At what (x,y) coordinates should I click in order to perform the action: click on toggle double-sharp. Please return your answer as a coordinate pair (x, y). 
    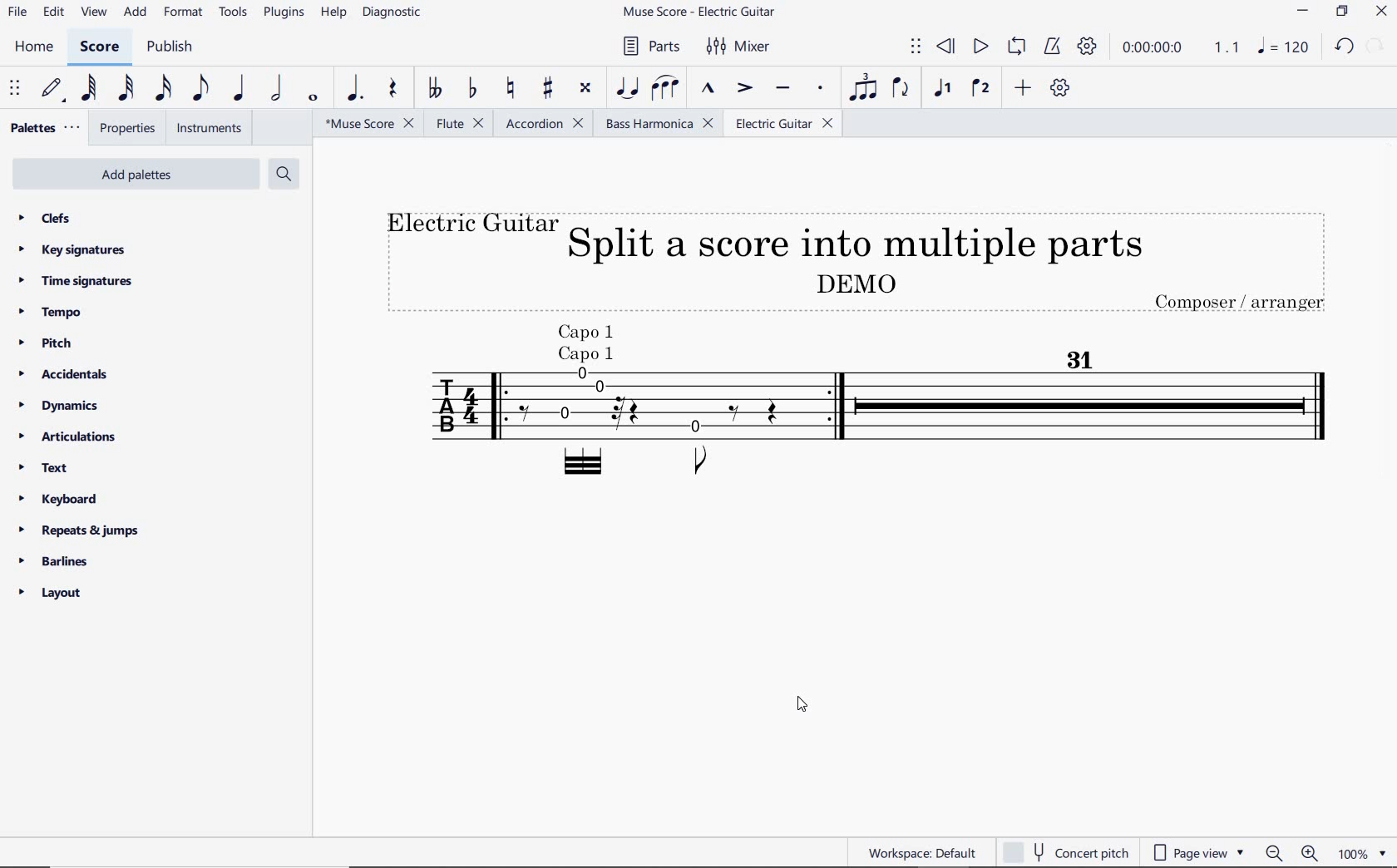
    Looking at the image, I should click on (585, 89).